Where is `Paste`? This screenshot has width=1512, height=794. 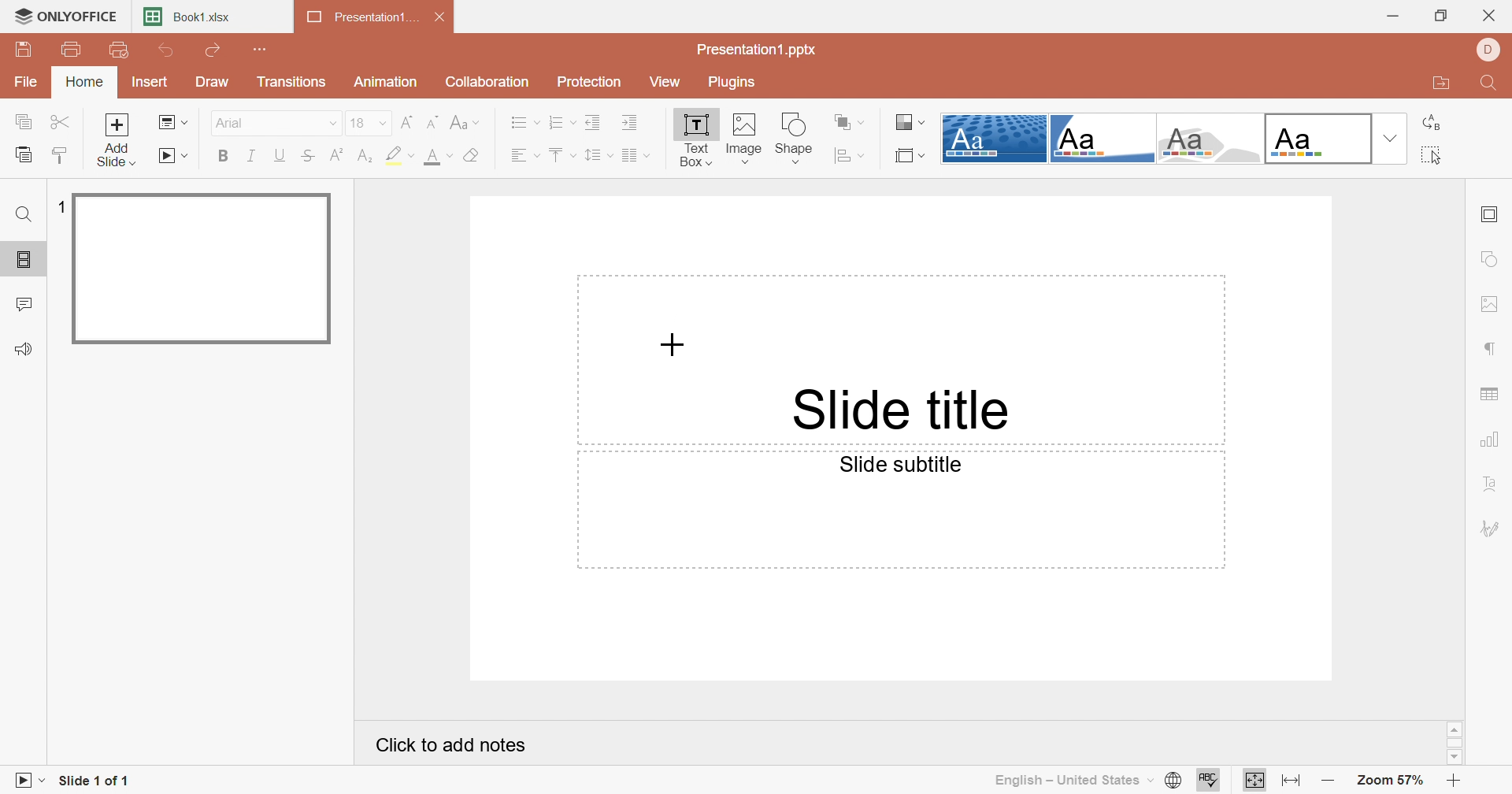 Paste is located at coordinates (22, 154).